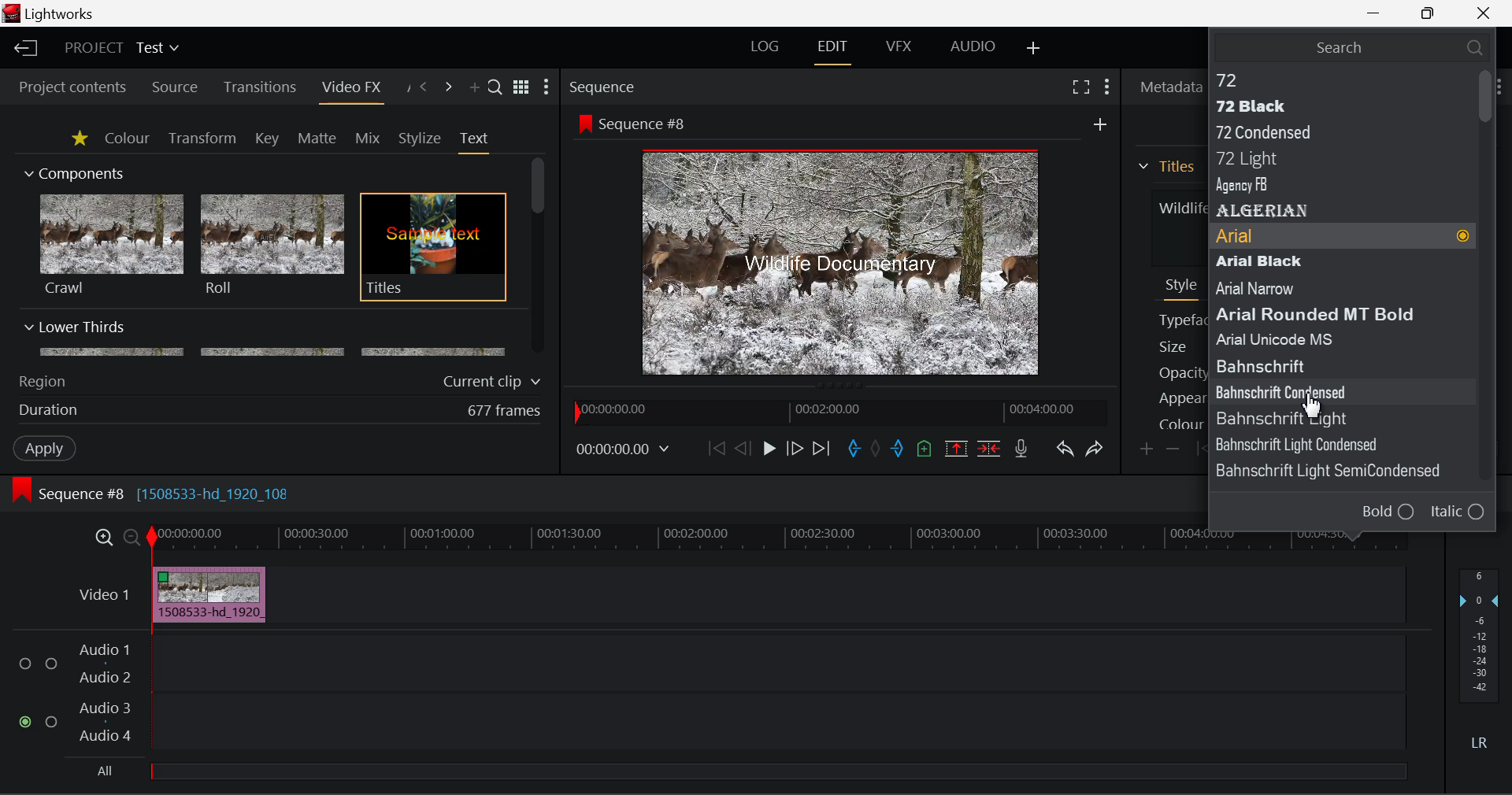 Image resolution: width=1512 pixels, height=795 pixels. Describe the element at coordinates (269, 139) in the screenshot. I see `Key` at that location.